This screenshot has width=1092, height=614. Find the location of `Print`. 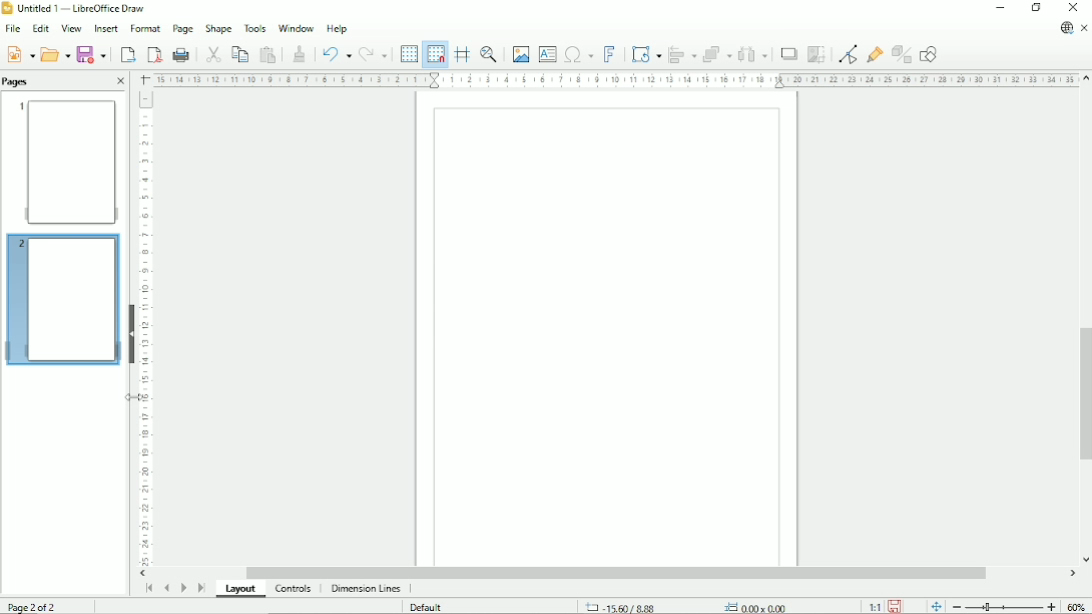

Print is located at coordinates (182, 55).